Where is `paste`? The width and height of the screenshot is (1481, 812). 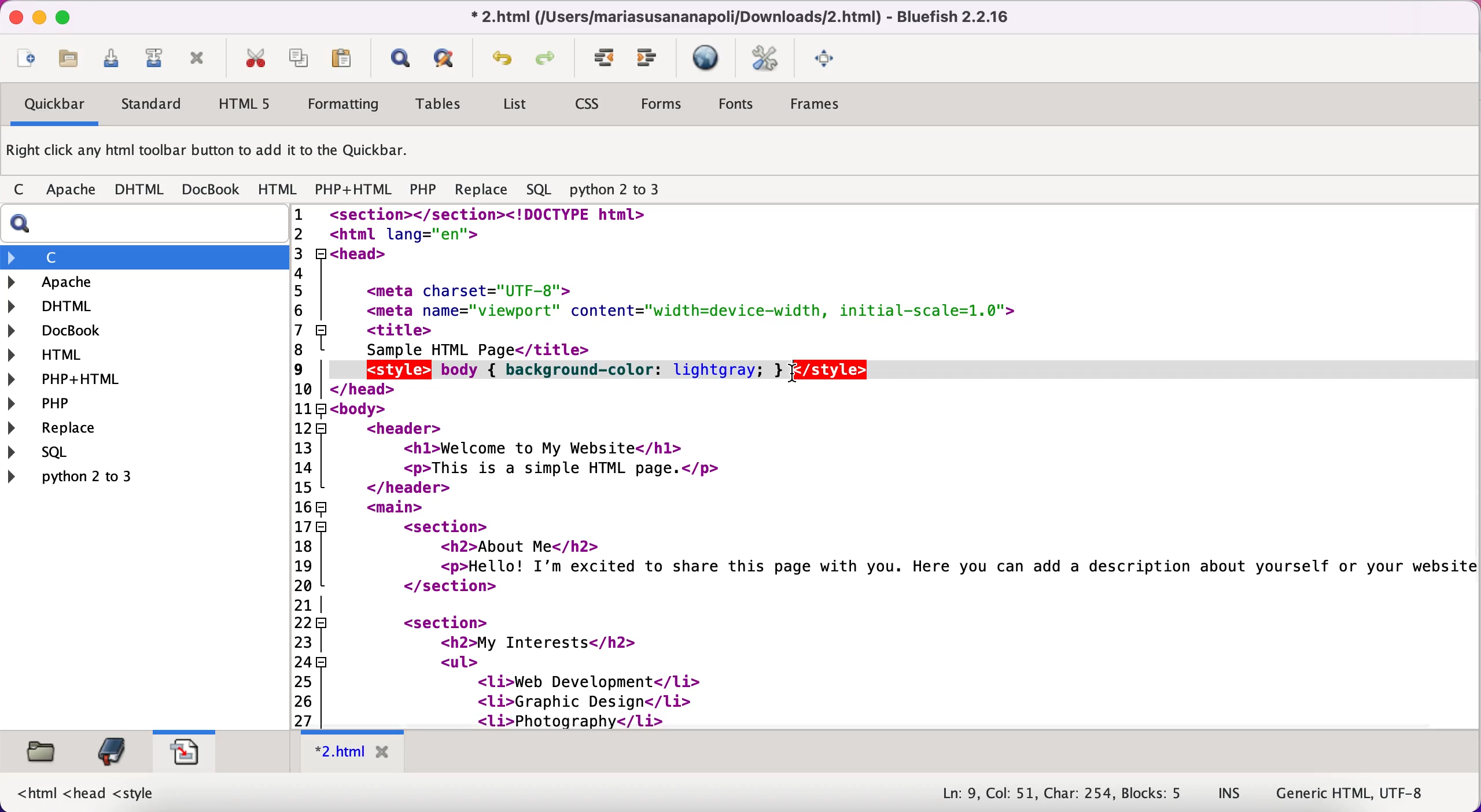 paste is located at coordinates (346, 58).